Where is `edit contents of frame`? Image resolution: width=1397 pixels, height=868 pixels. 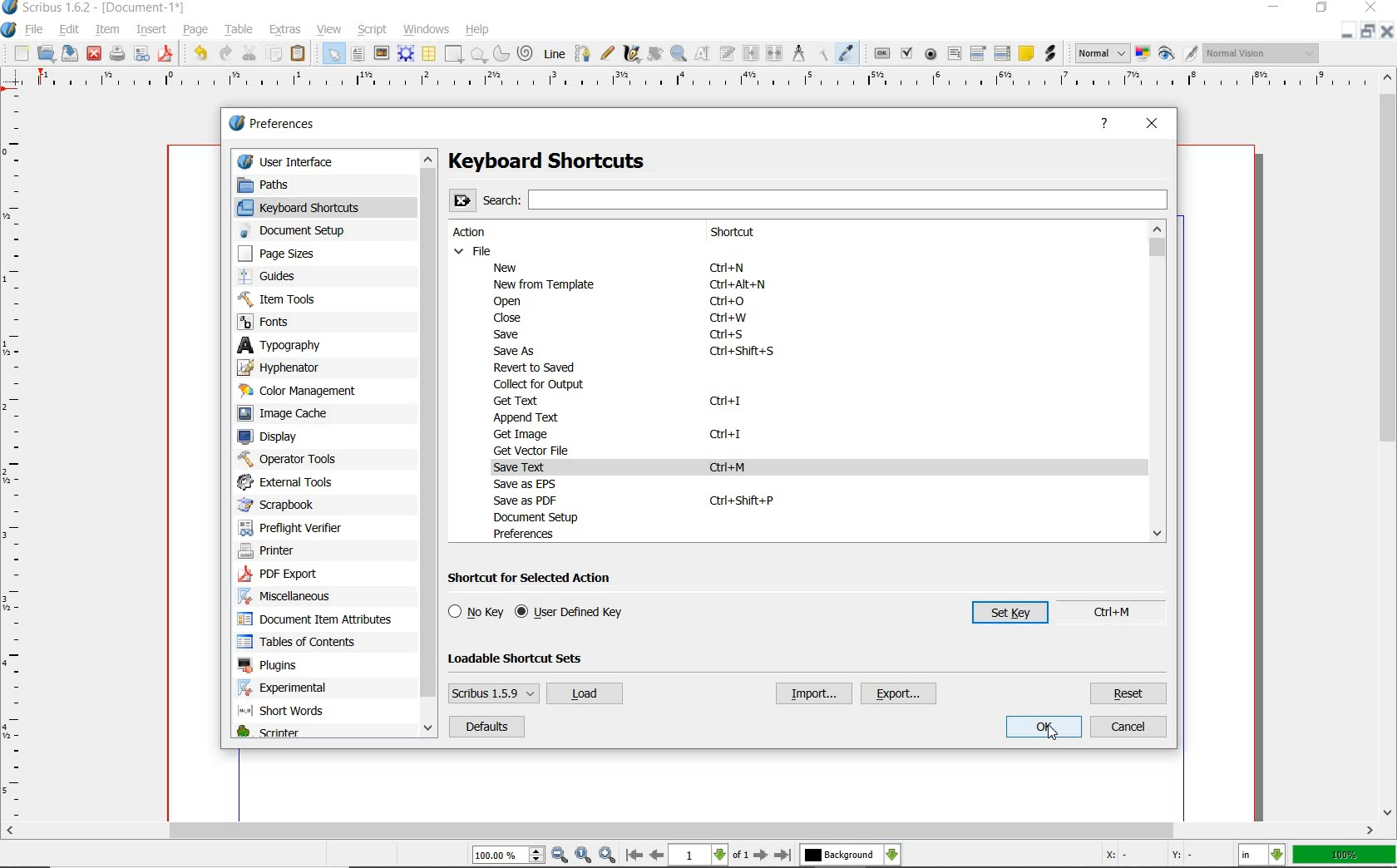
edit contents of frame is located at coordinates (703, 53).